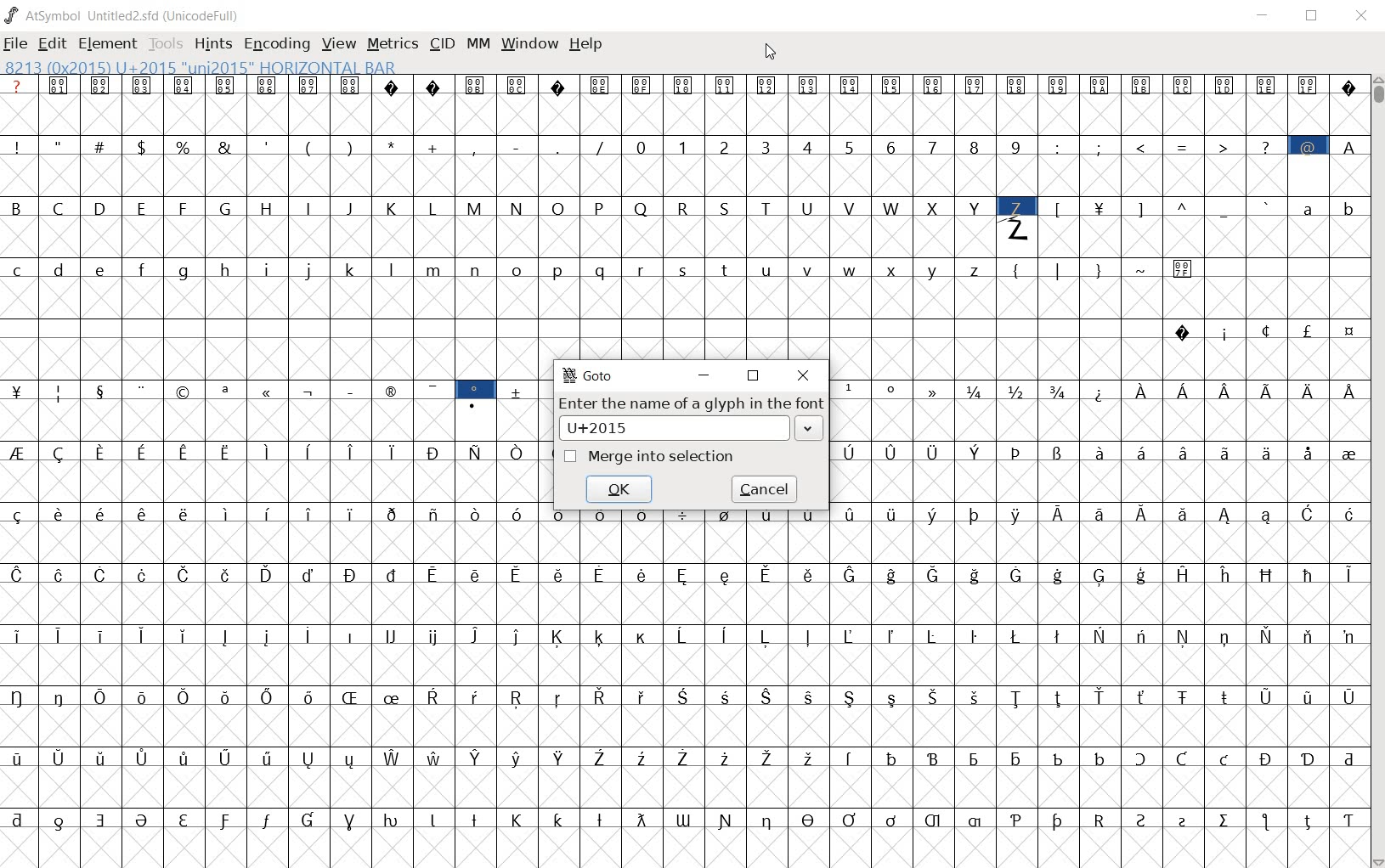 The image size is (1385, 868). Describe the element at coordinates (651, 455) in the screenshot. I see `MERGE INTO SELECTION` at that location.